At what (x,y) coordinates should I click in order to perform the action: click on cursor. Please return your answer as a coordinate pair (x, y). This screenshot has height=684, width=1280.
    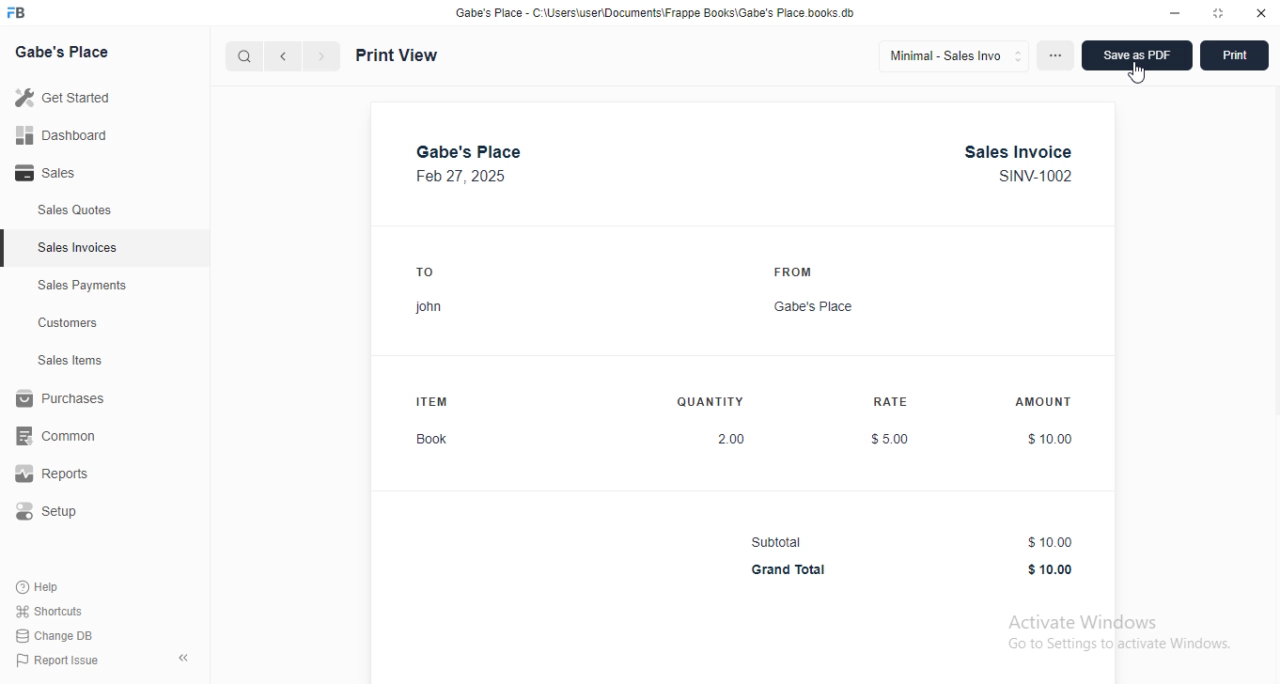
    Looking at the image, I should click on (1137, 72).